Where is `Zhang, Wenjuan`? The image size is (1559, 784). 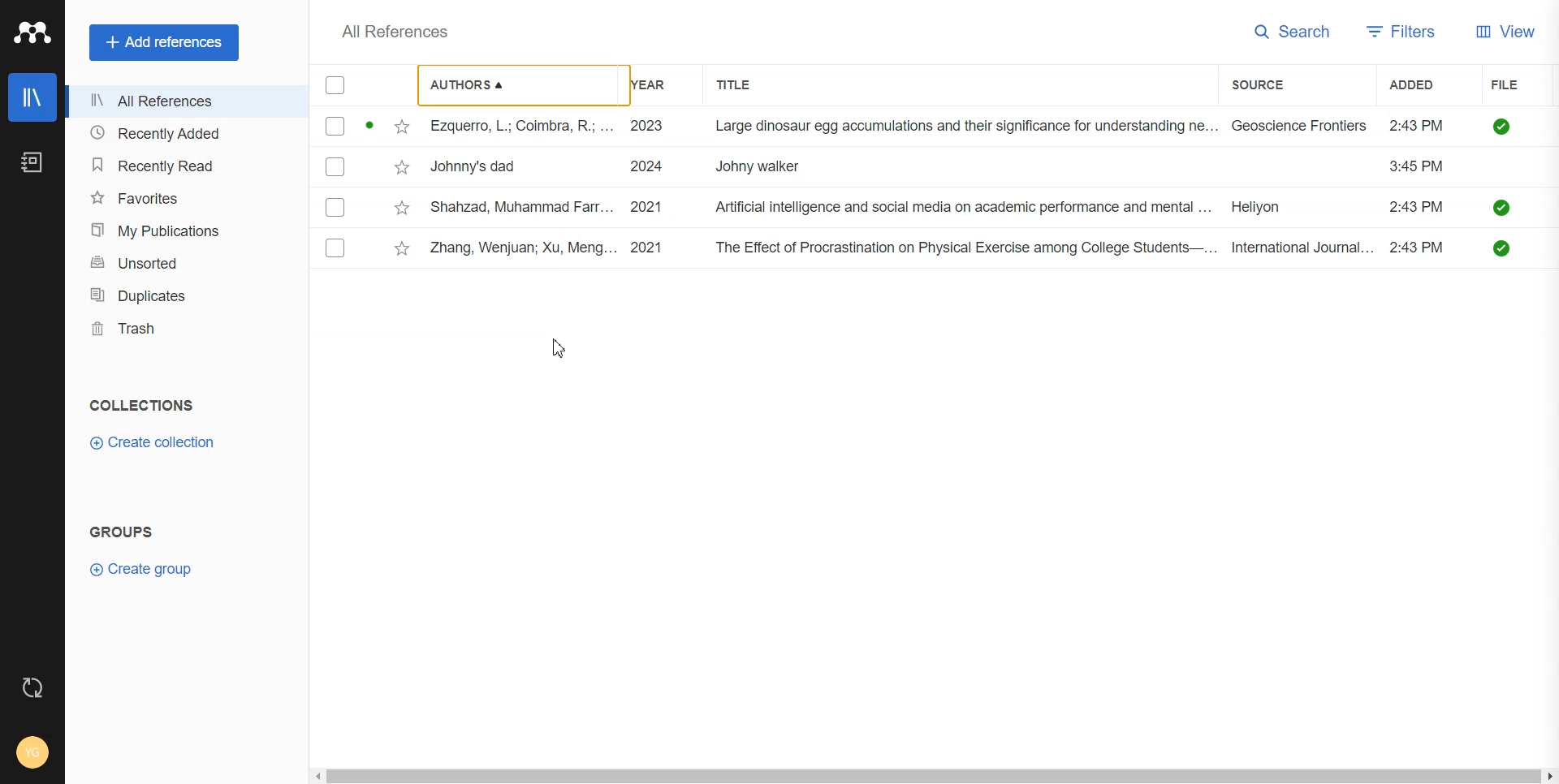
Zhang, Wenjuan is located at coordinates (521, 248).